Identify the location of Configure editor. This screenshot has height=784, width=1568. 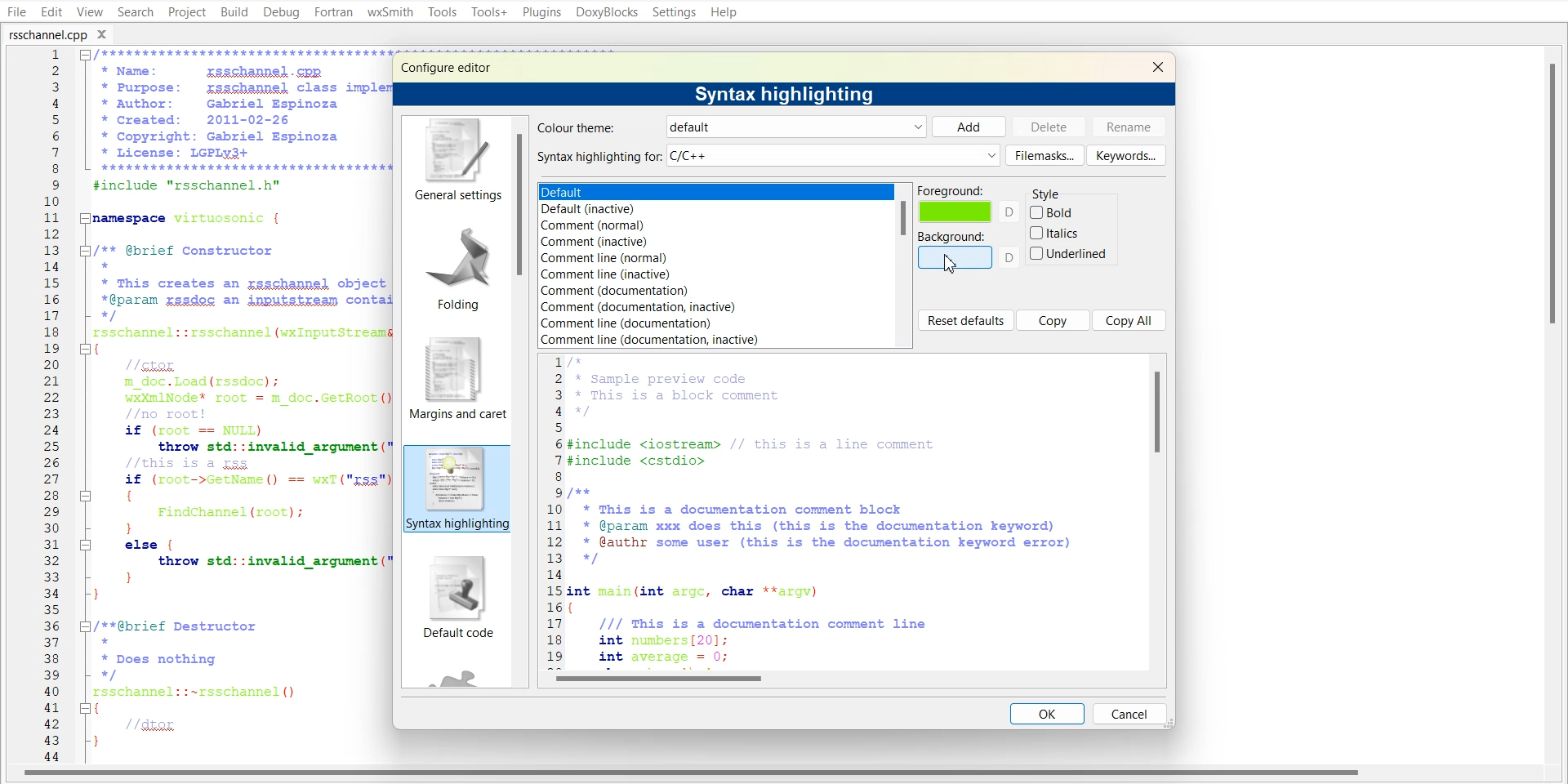
(453, 66).